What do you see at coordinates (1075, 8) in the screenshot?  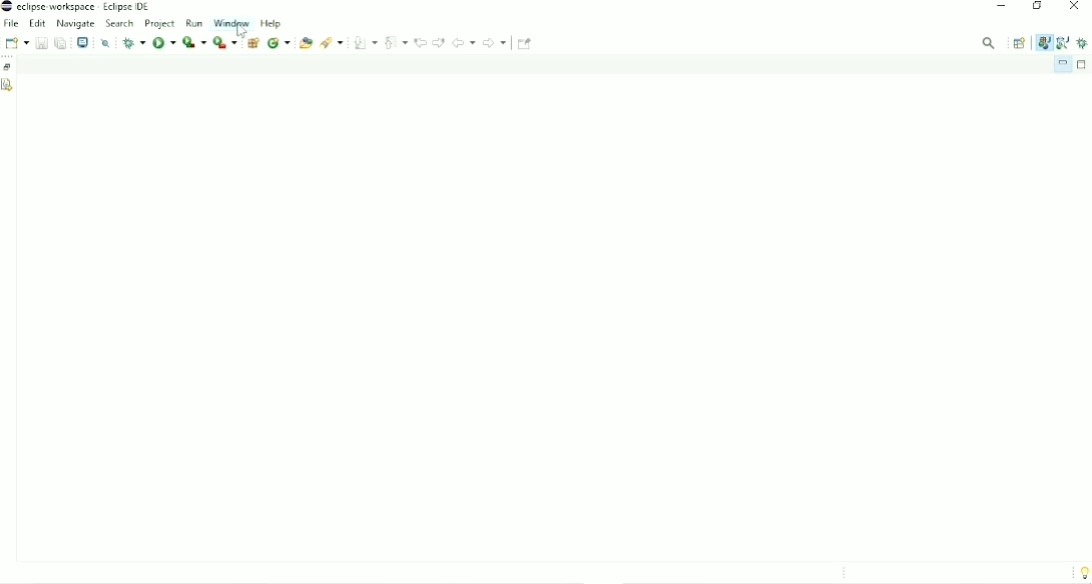 I see `Close` at bounding box center [1075, 8].